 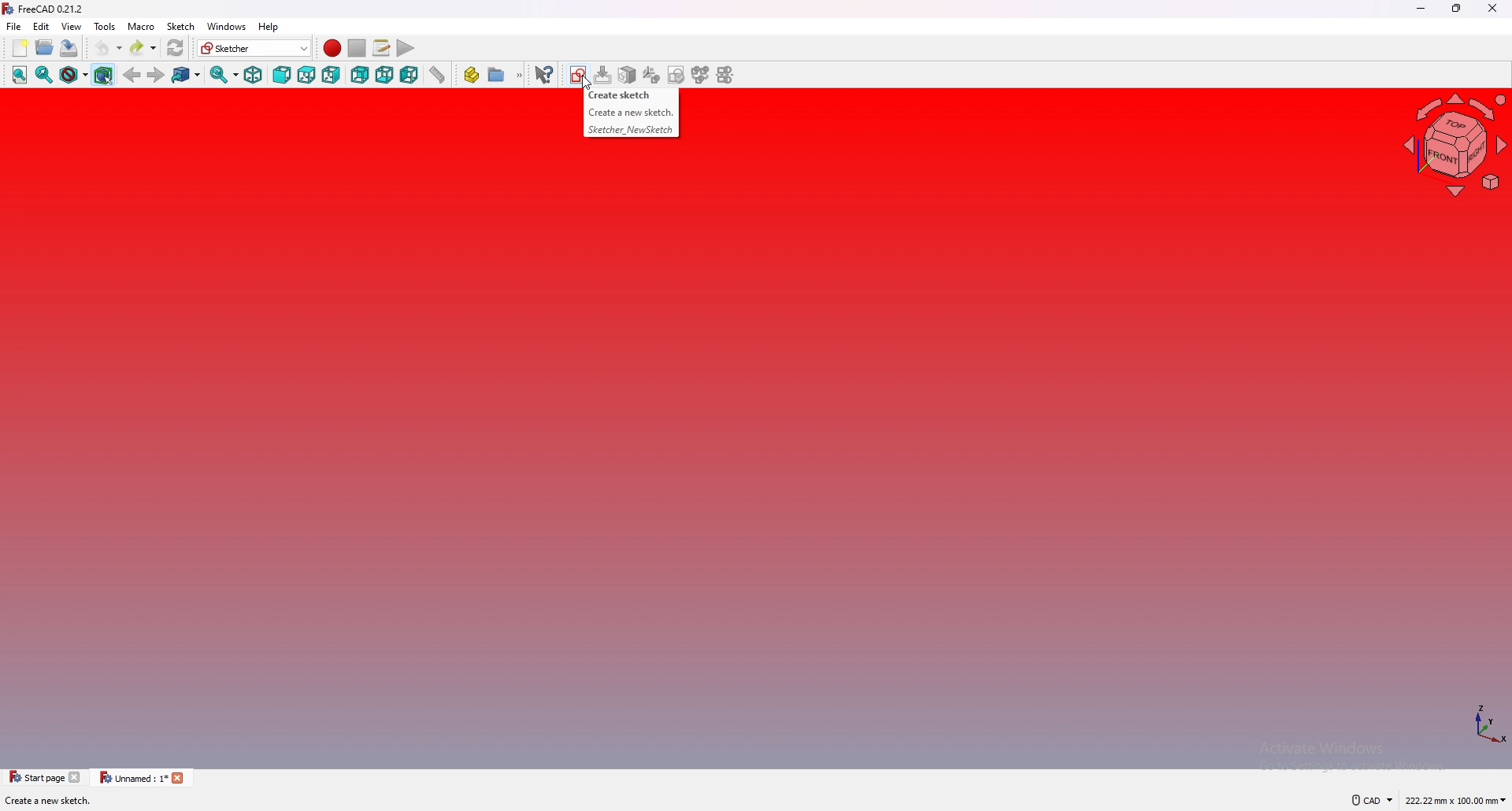 What do you see at coordinates (729, 75) in the screenshot?
I see `mirror sketch` at bounding box center [729, 75].